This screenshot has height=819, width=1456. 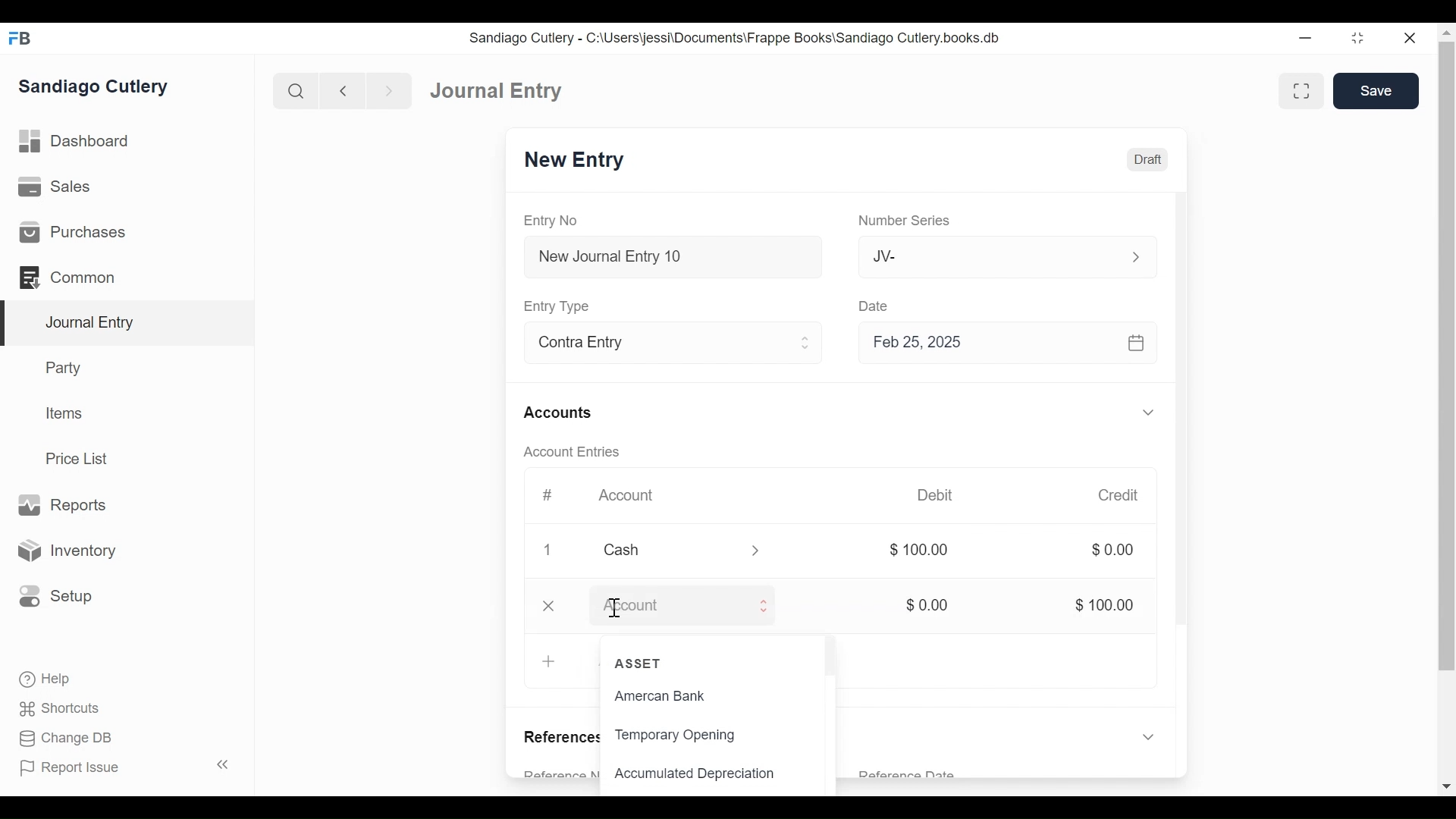 What do you see at coordinates (1411, 37) in the screenshot?
I see `Close` at bounding box center [1411, 37].